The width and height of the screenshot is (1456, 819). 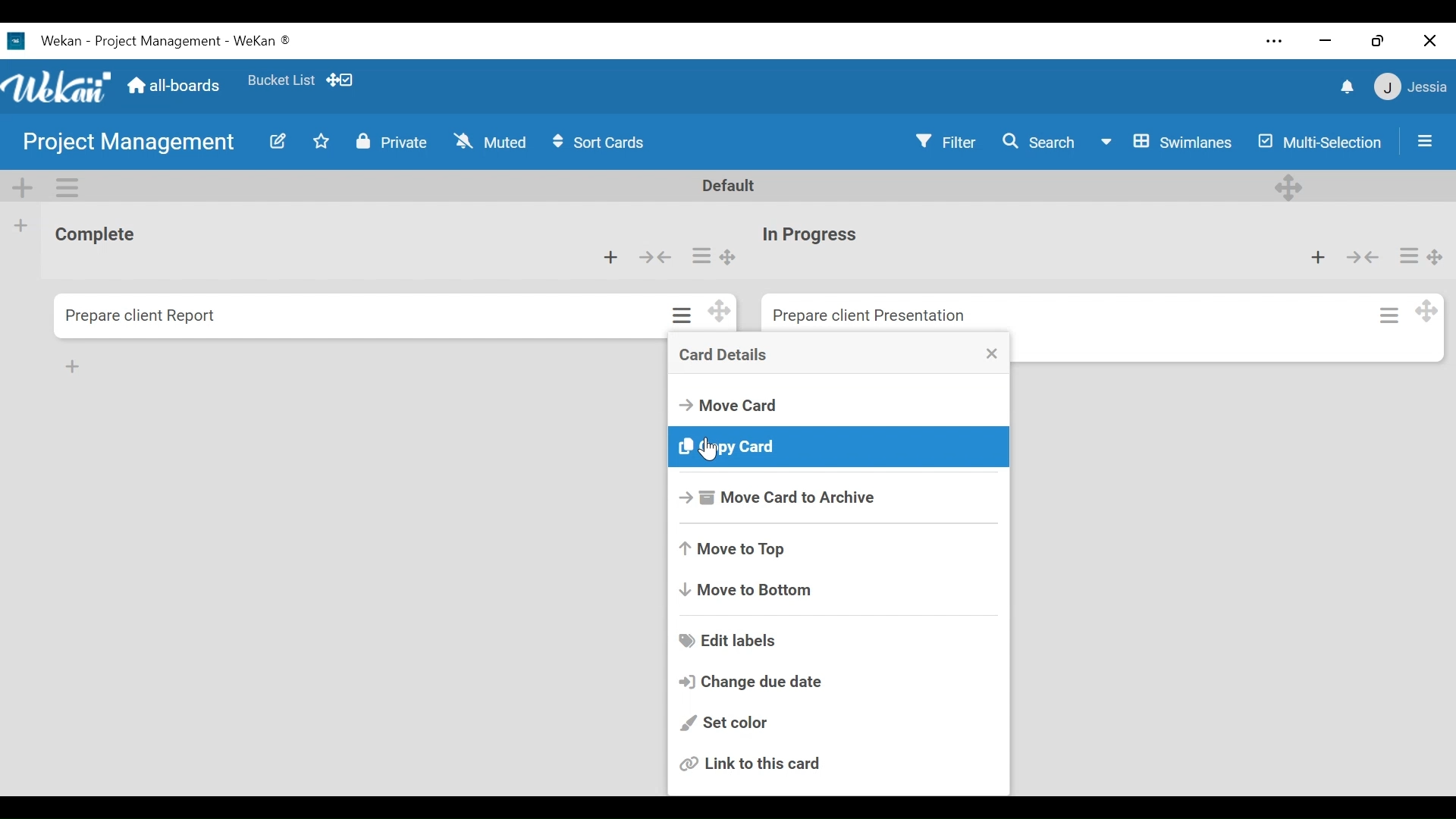 What do you see at coordinates (1321, 141) in the screenshot?
I see `Multi-Selection` at bounding box center [1321, 141].